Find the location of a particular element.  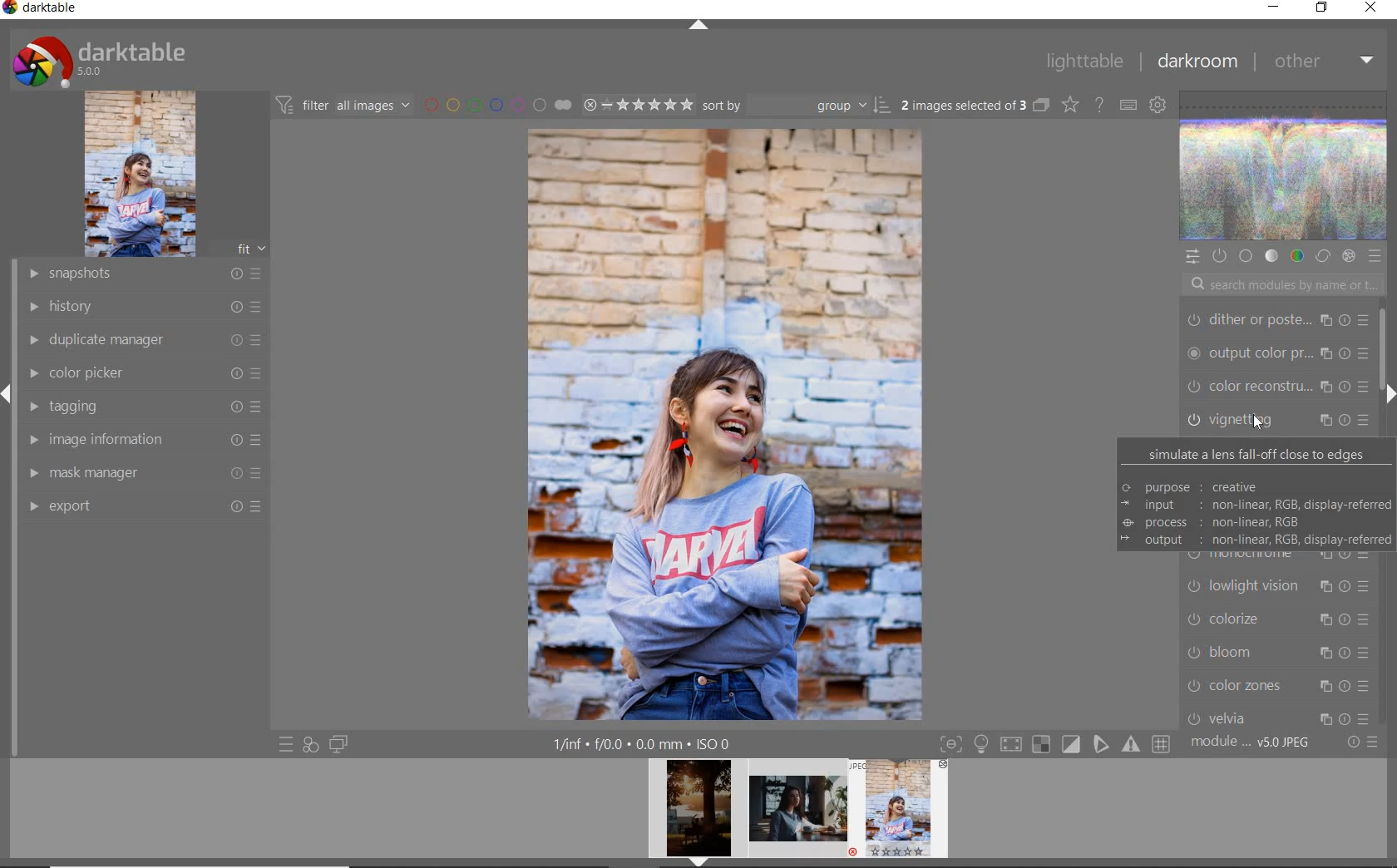

history is located at coordinates (144, 305).